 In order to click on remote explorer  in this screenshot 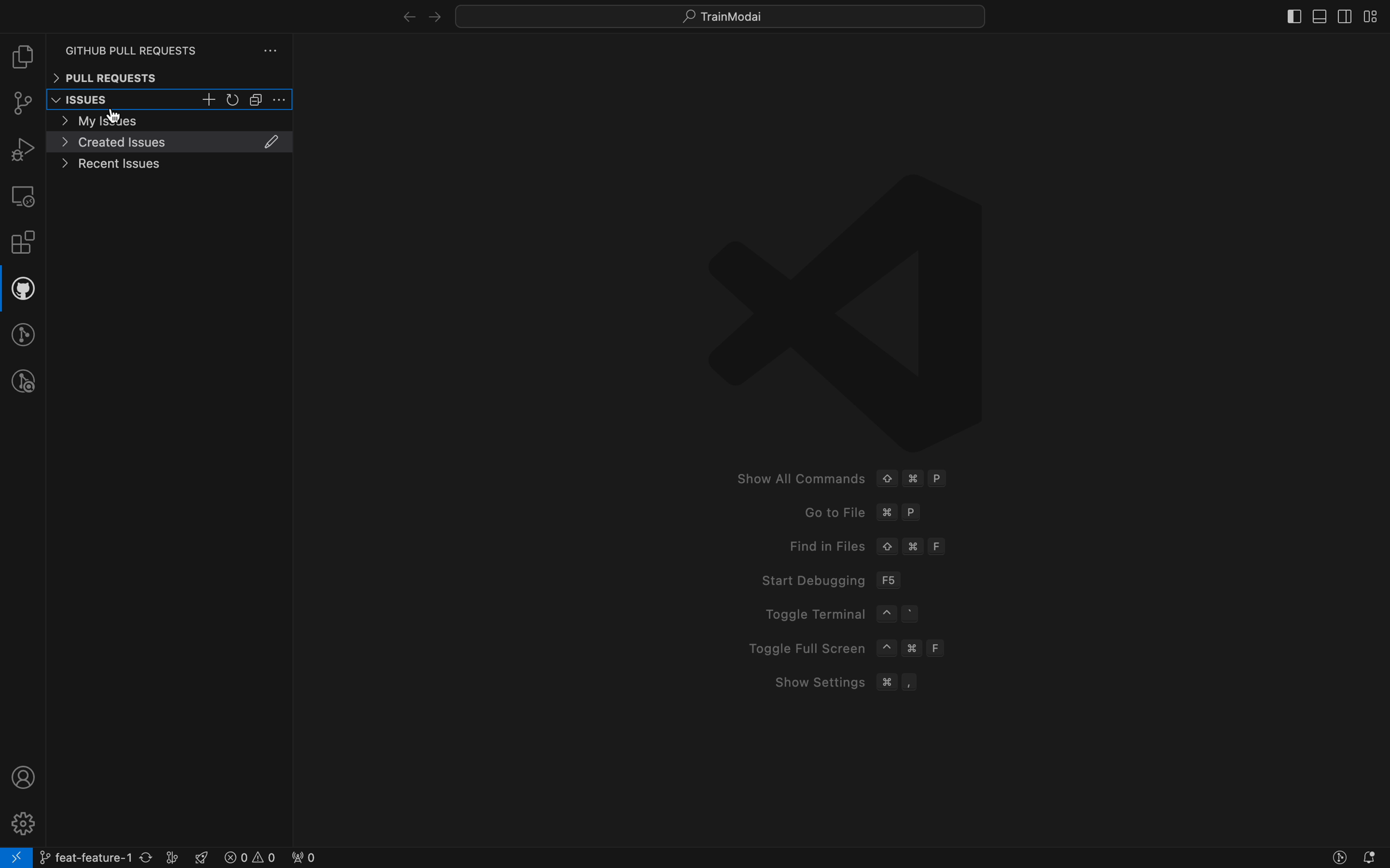, I will do `click(22, 196)`.